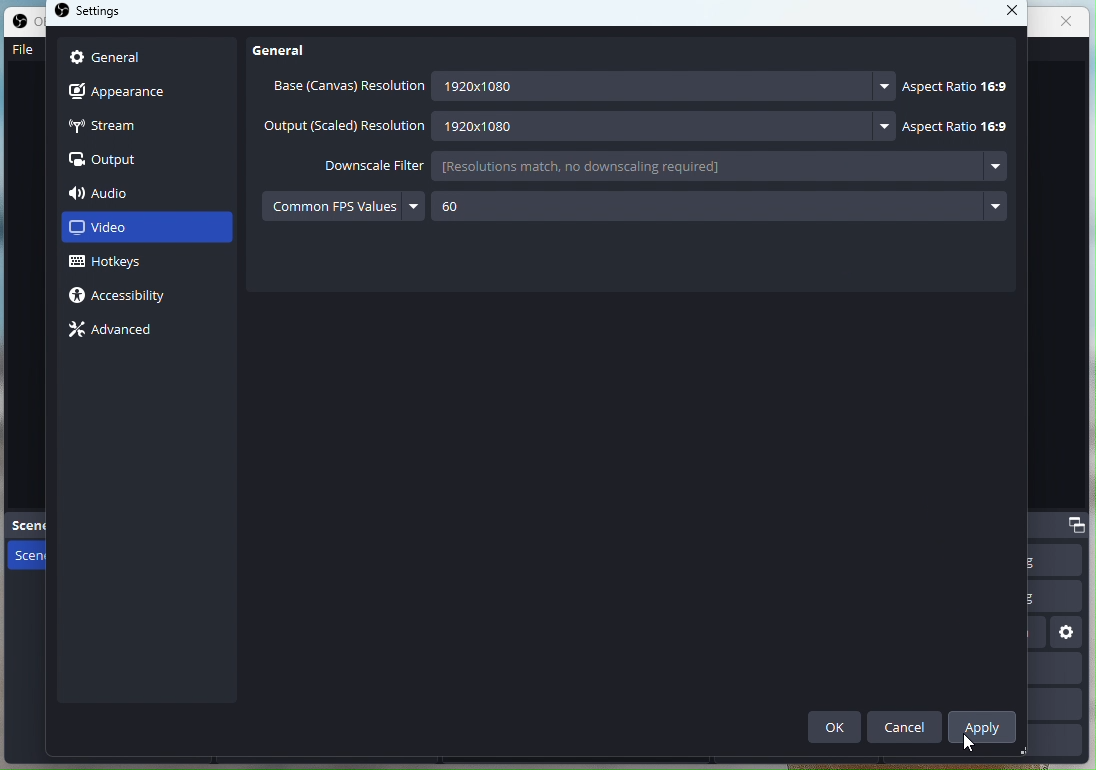 The width and height of the screenshot is (1096, 770). I want to click on Aspect ratio 16:9, so click(958, 85).